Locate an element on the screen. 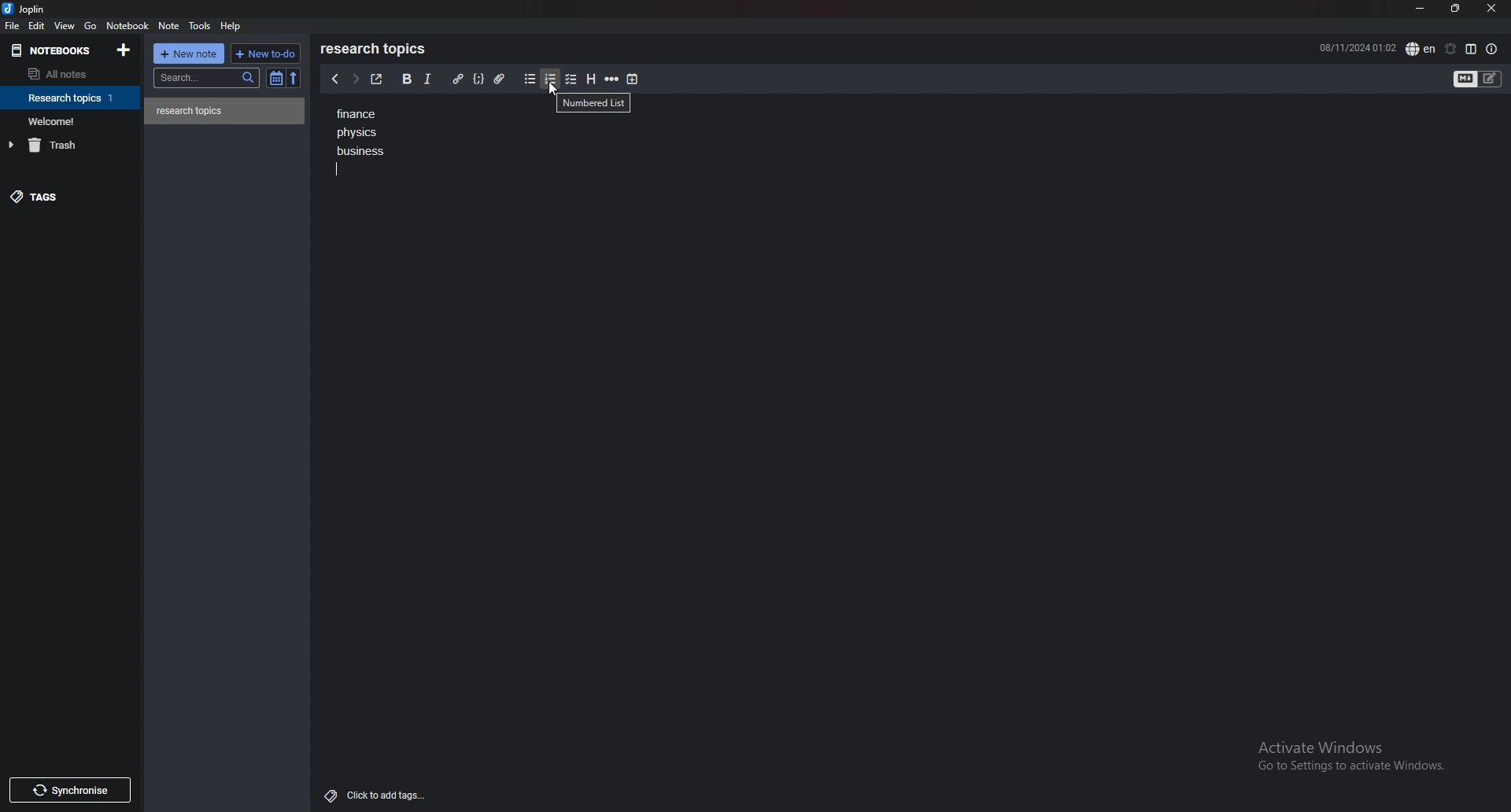 The width and height of the screenshot is (1511, 812). new todo is located at coordinates (265, 53).